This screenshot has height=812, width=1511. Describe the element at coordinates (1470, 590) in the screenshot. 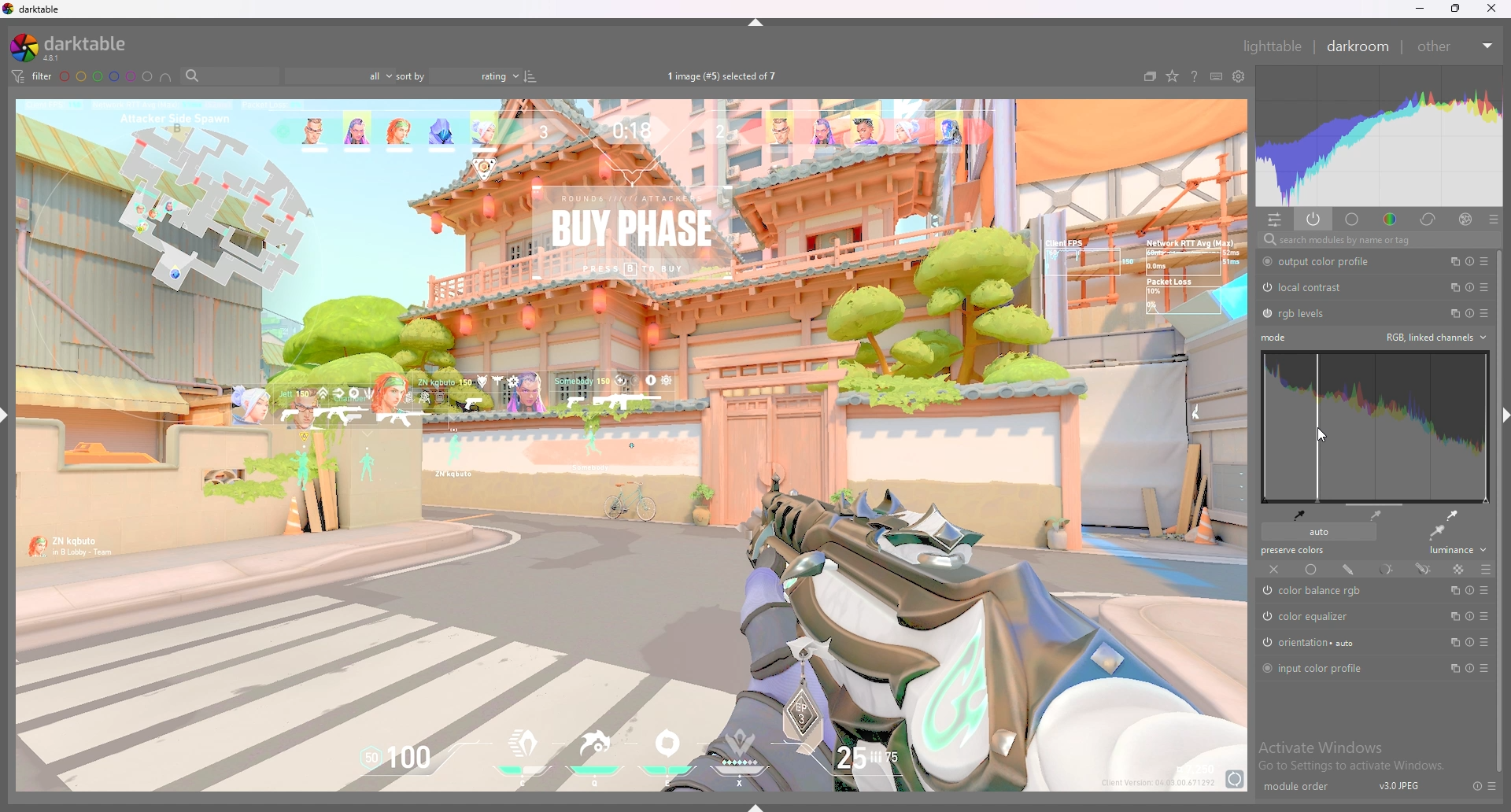

I see `play` at that location.